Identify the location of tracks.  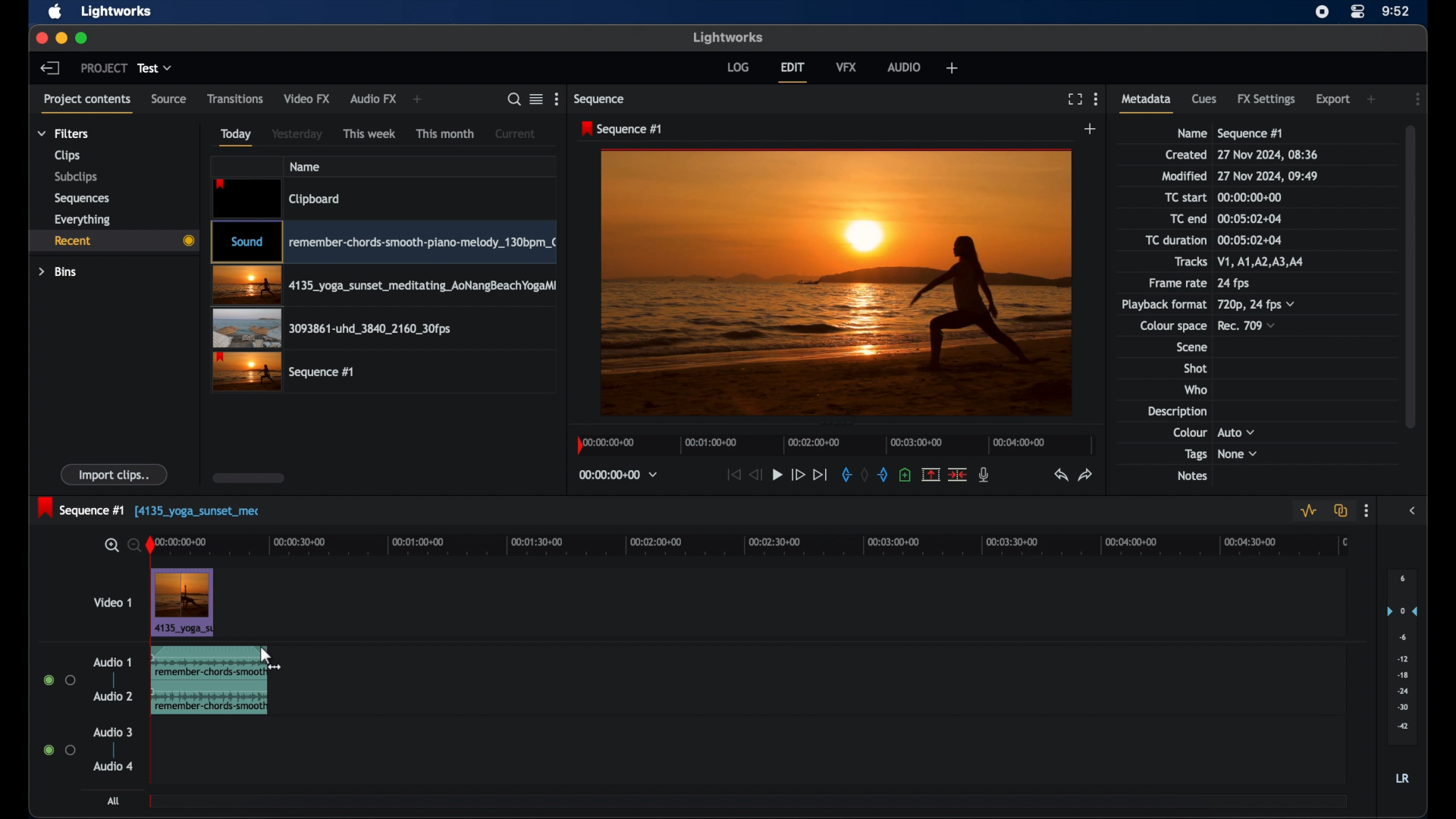
(1191, 262).